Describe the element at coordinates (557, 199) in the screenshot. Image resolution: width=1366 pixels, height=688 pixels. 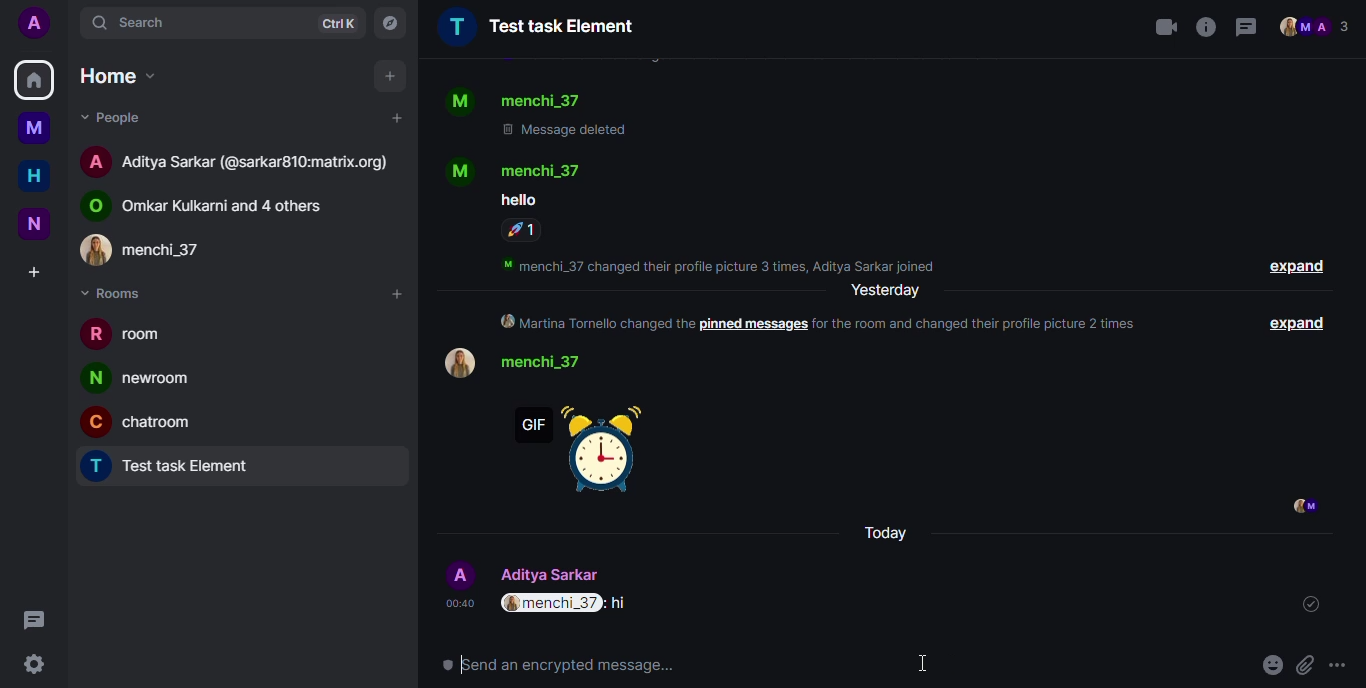
I see `text` at that location.